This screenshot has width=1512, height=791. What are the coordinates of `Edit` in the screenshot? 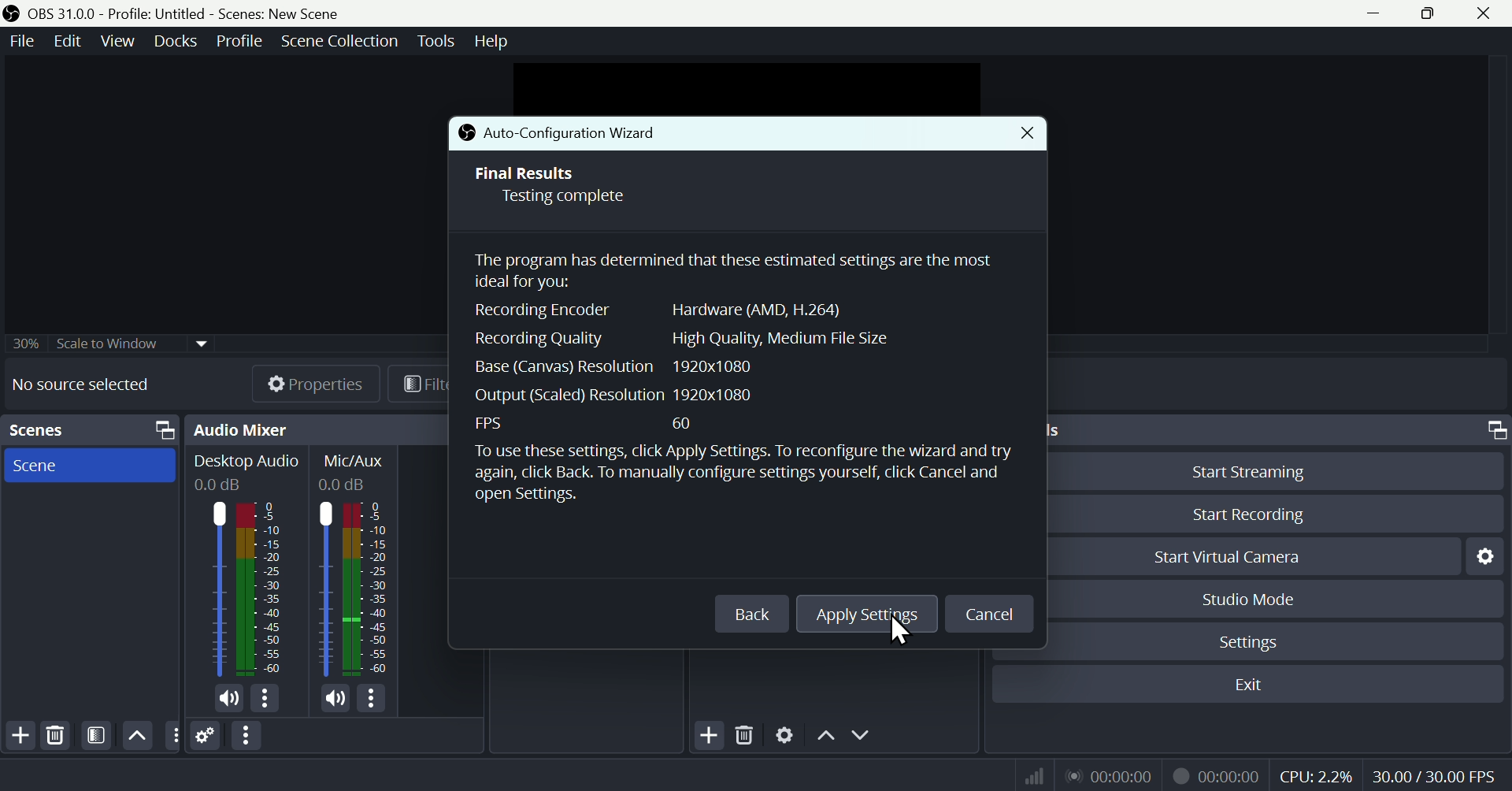 It's located at (69, 42).